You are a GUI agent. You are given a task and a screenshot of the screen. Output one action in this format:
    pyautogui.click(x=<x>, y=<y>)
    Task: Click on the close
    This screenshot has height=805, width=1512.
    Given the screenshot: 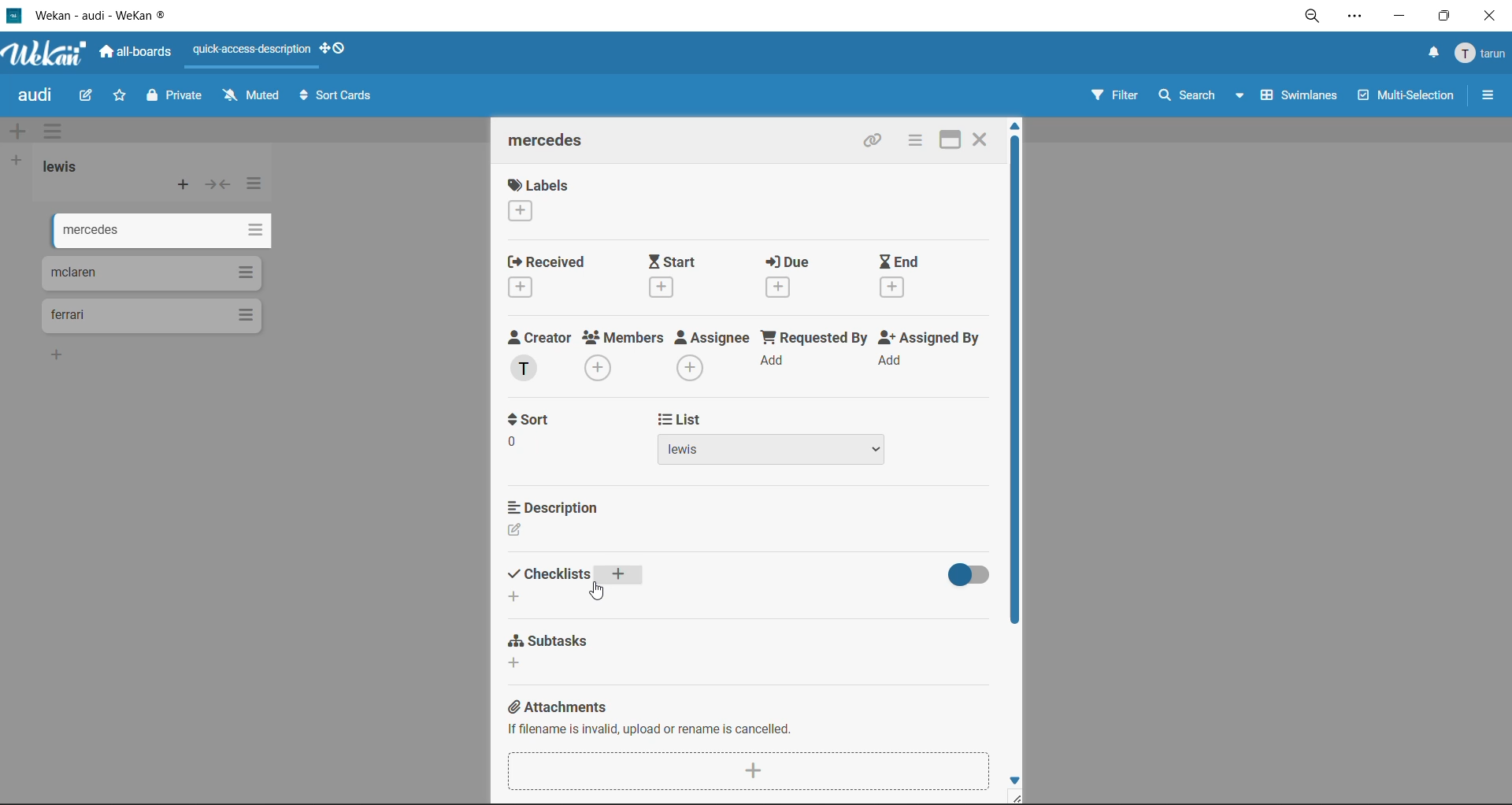 What is the action you would take?
    pyautogui.click(x=1488, y=17)
    